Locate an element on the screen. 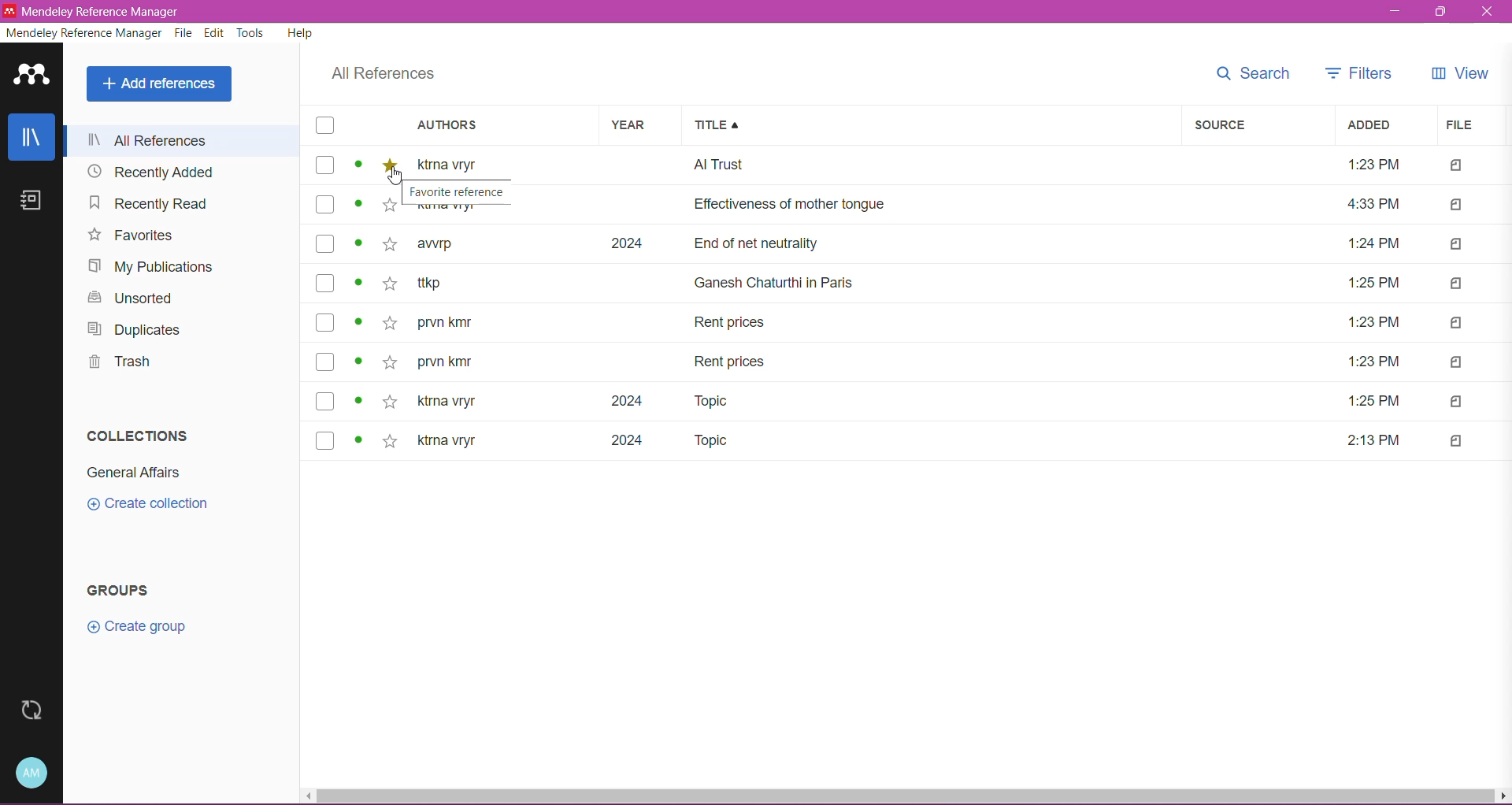  Click to see more details is located at coordinates (359, 321).